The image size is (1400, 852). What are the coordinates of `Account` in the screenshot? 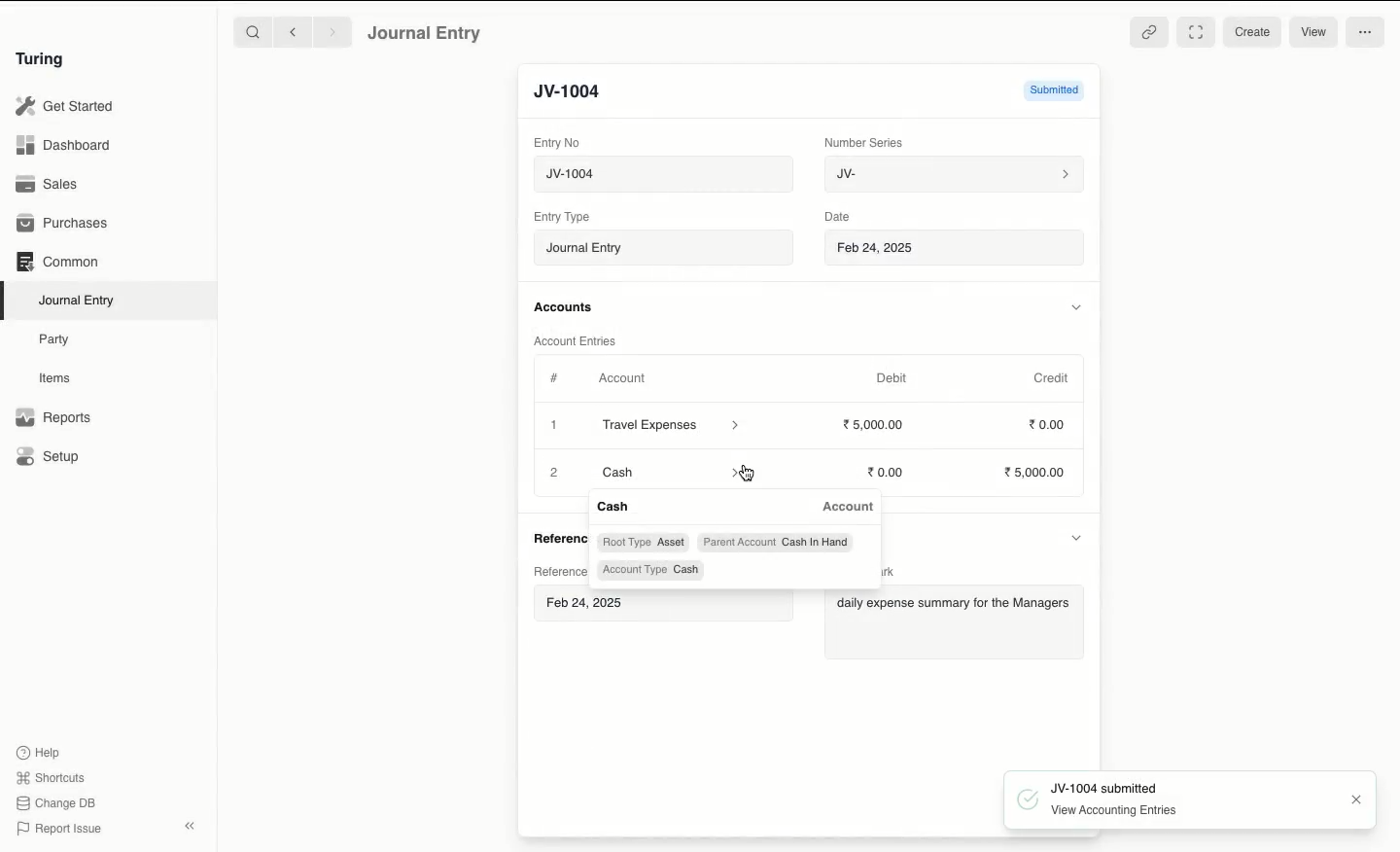 It's located at (623, 378).